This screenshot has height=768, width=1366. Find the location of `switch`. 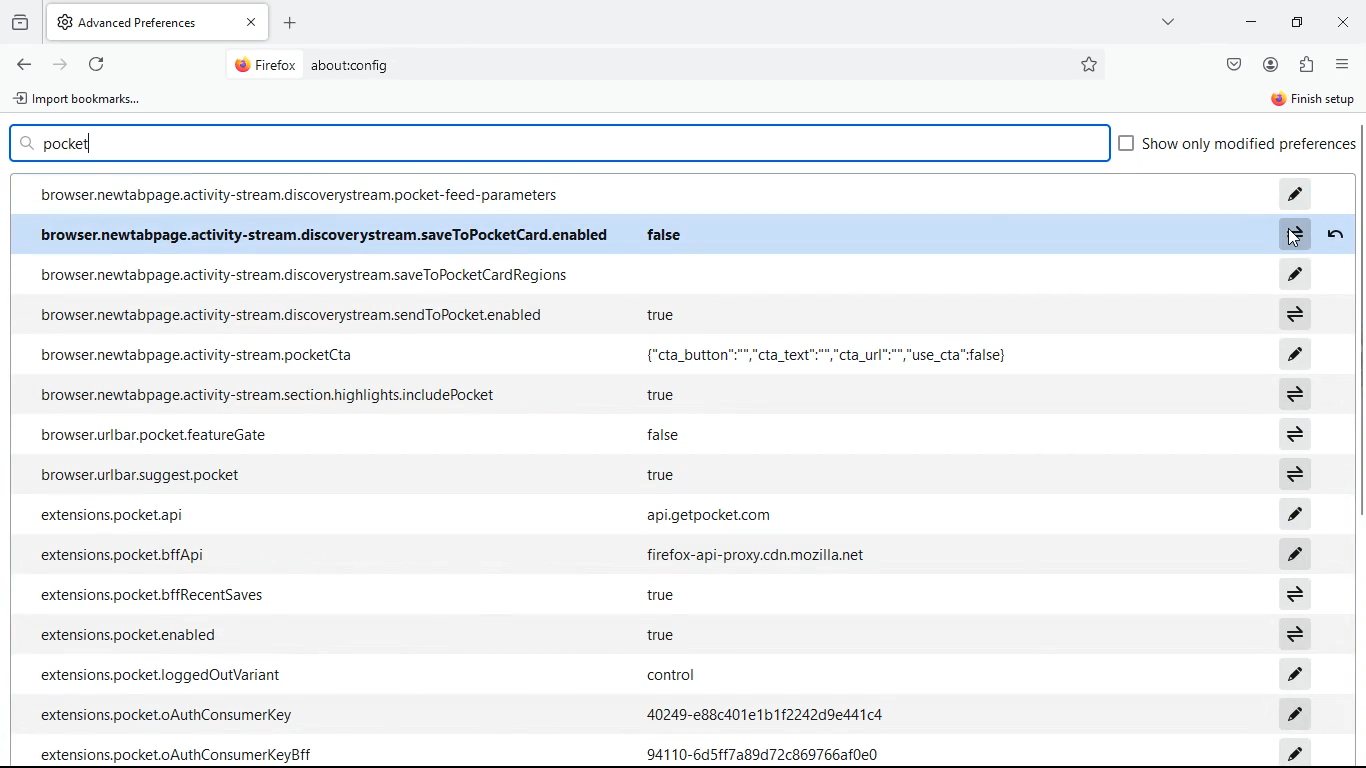

switch is located at coordinates (1298, 475).